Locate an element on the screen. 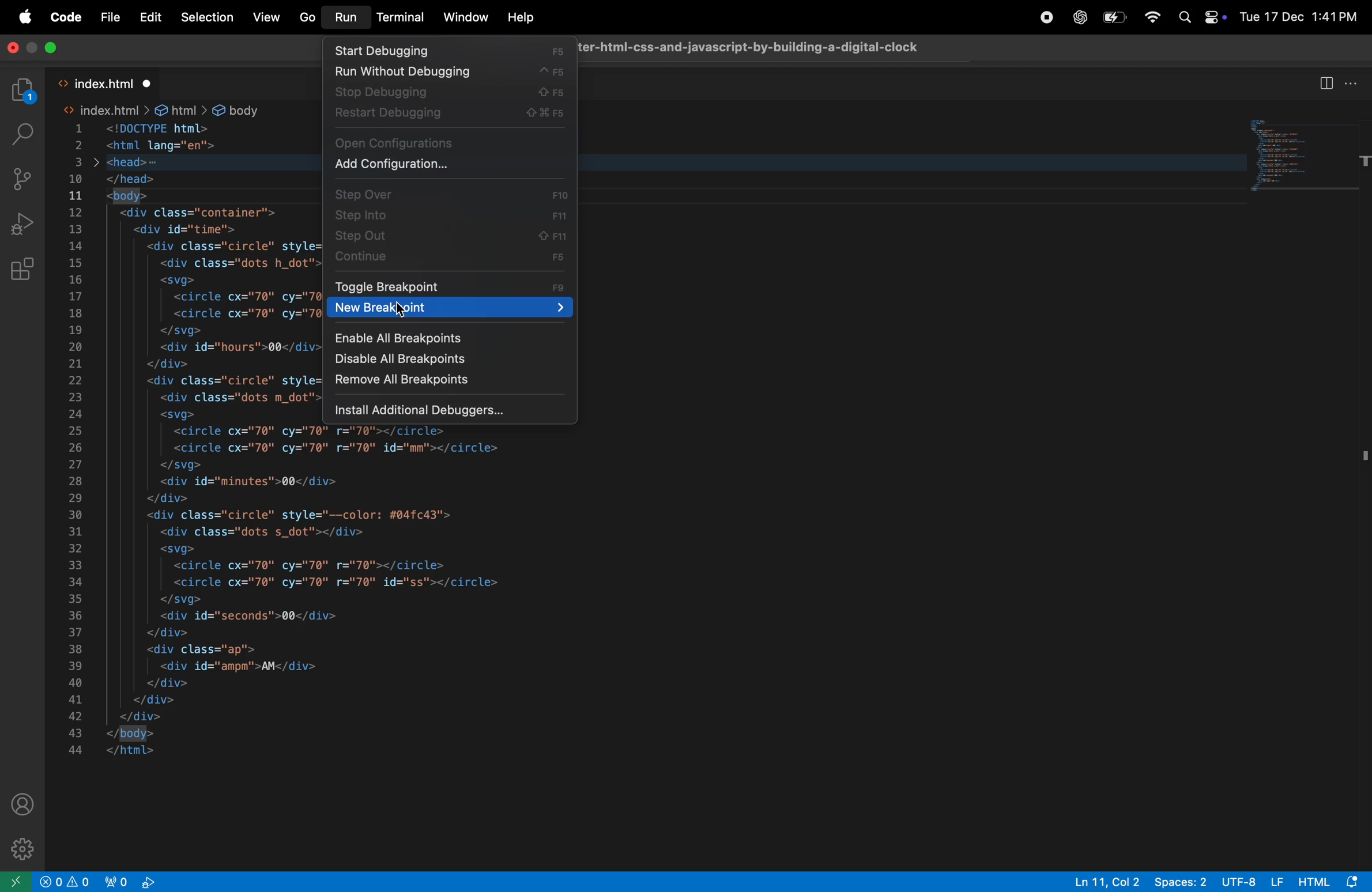  run is located at coordinates (344, 19).